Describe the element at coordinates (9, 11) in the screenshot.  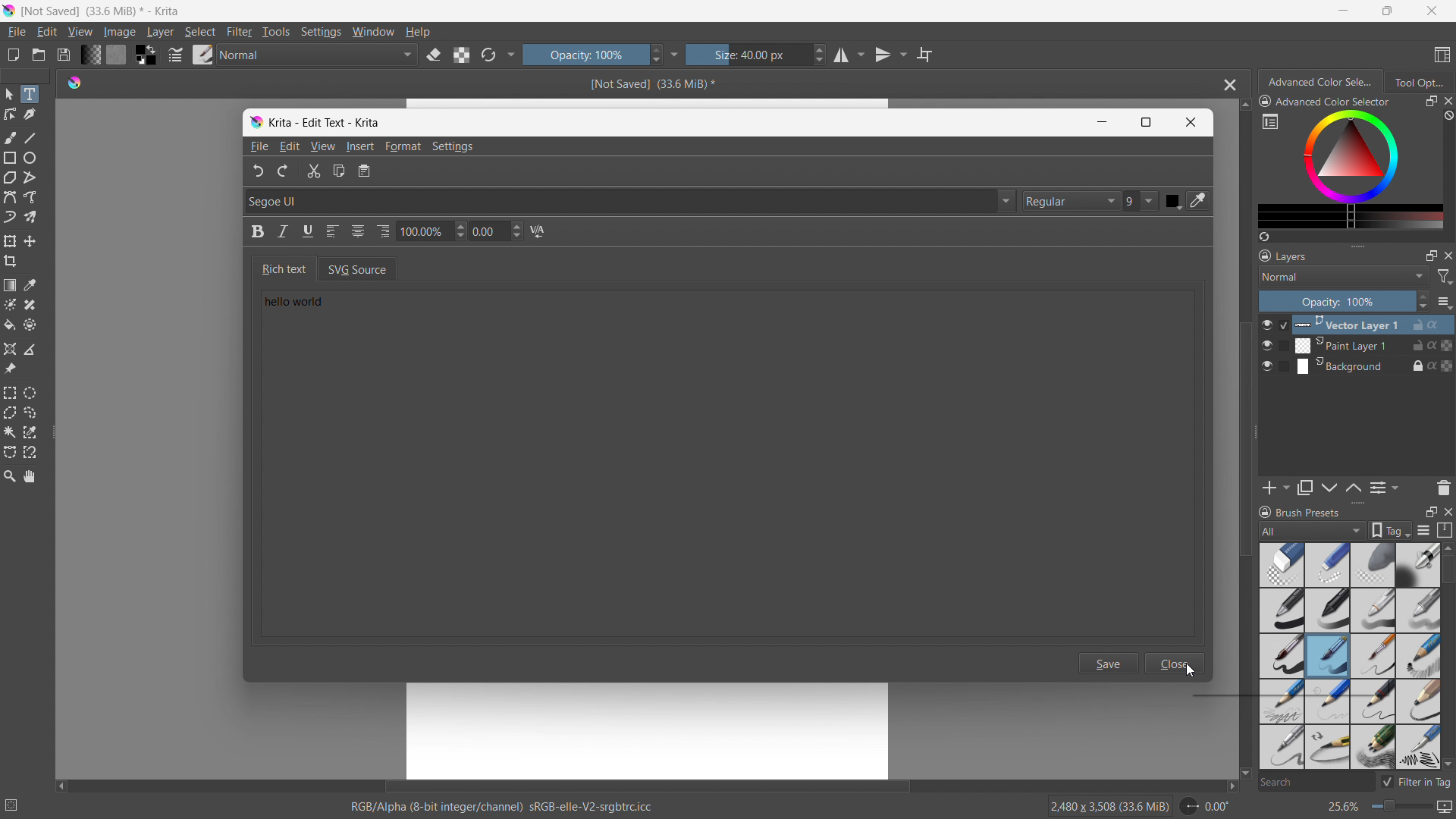
I see `logo` at that location.